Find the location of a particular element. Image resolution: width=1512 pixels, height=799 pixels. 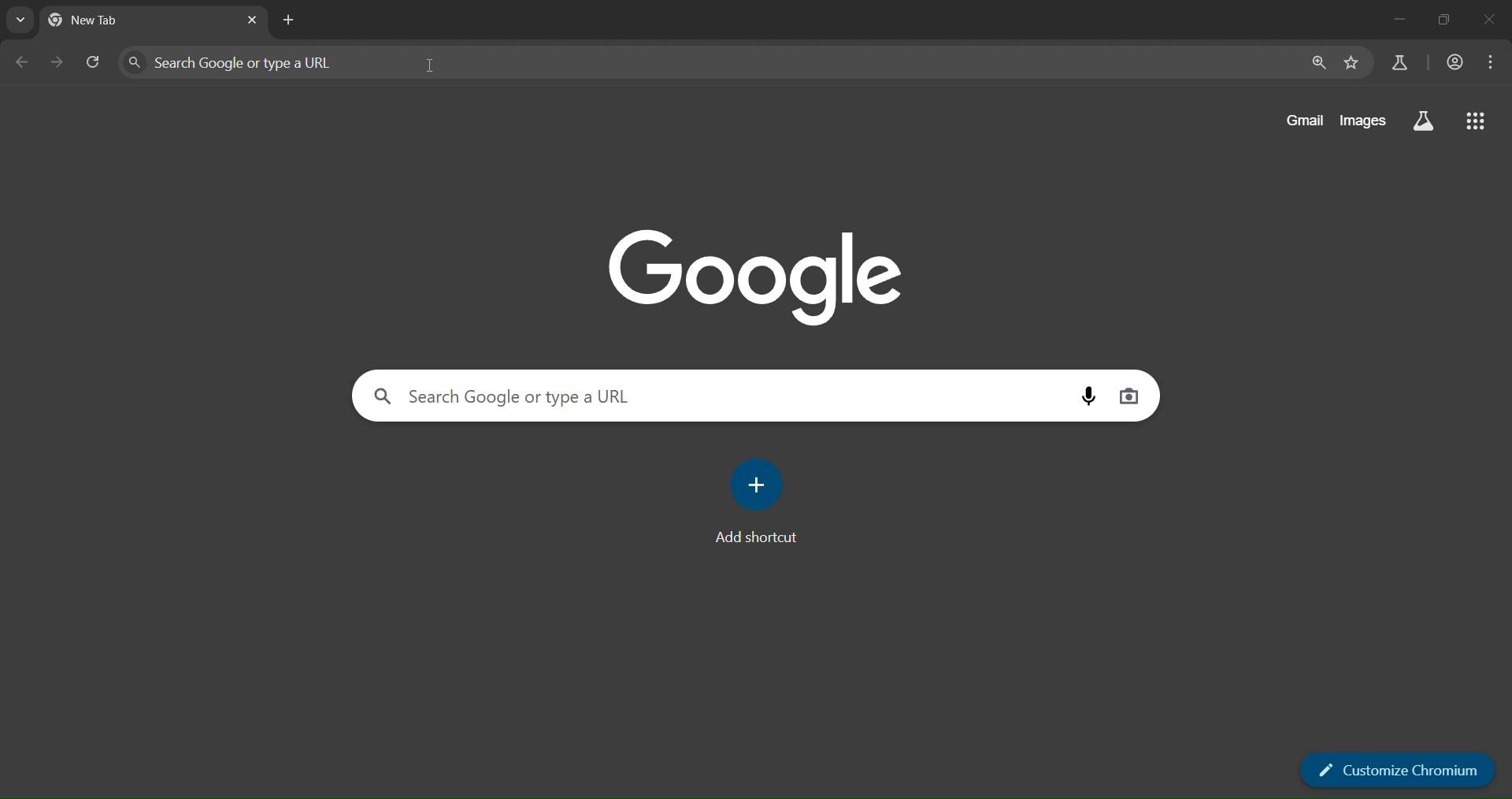

bookmark page is located at coordinates (1351, 63).